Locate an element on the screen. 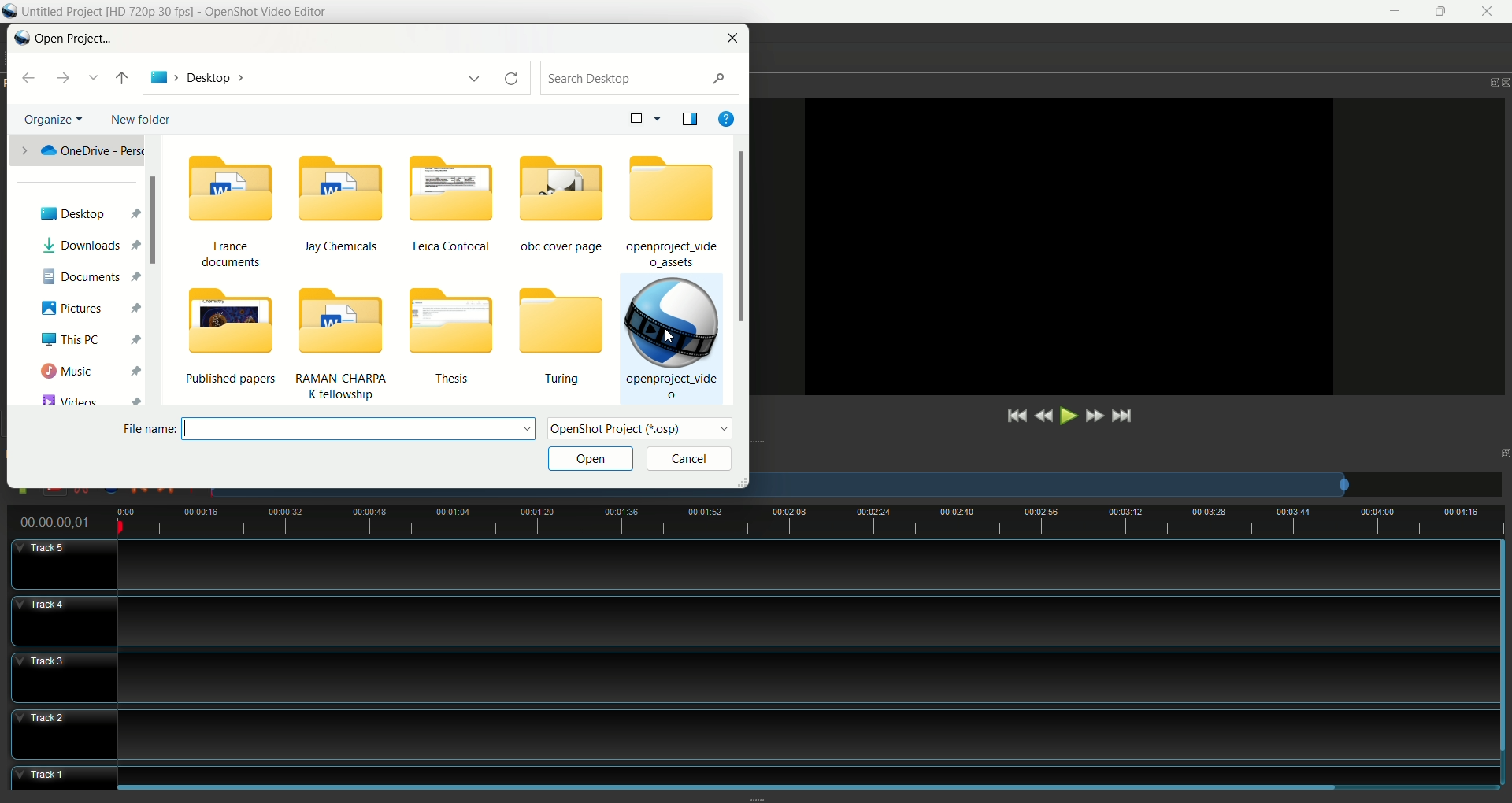 This screenshot has width=1512, height=803. timeline is located at coordinates (811, 523).